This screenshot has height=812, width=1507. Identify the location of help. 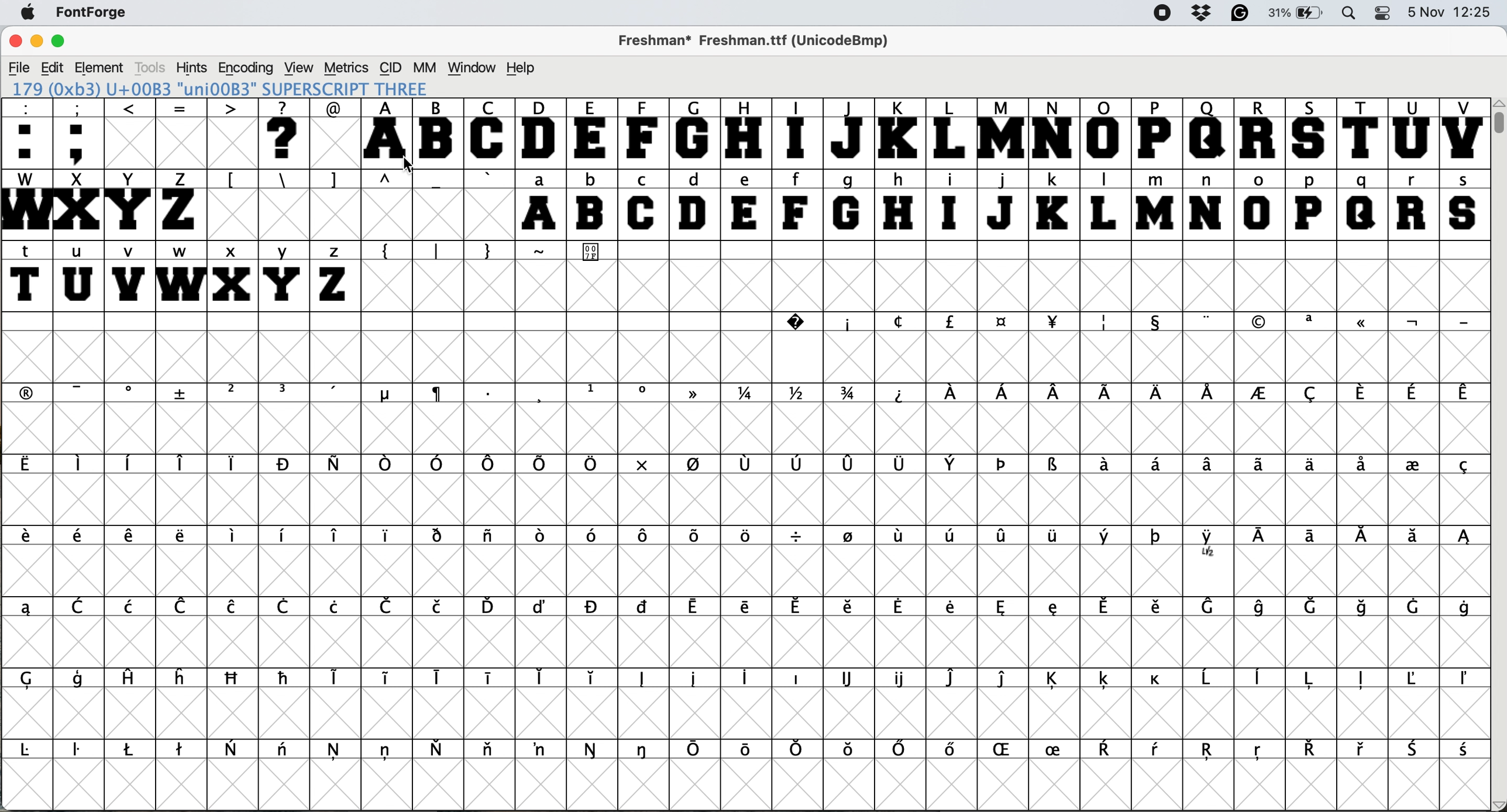
(520, 67).